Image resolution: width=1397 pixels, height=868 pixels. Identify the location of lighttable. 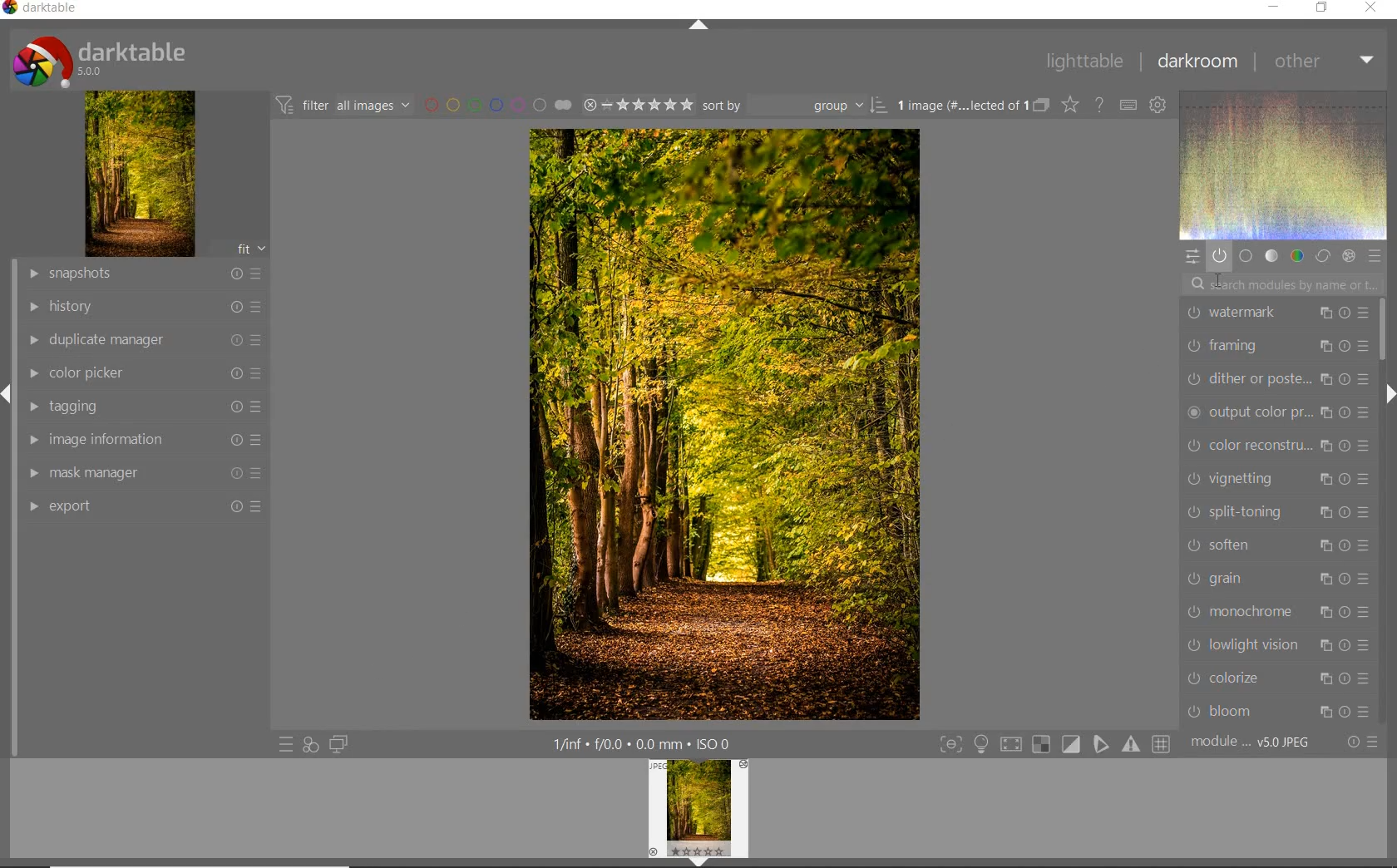
(1084, 62).